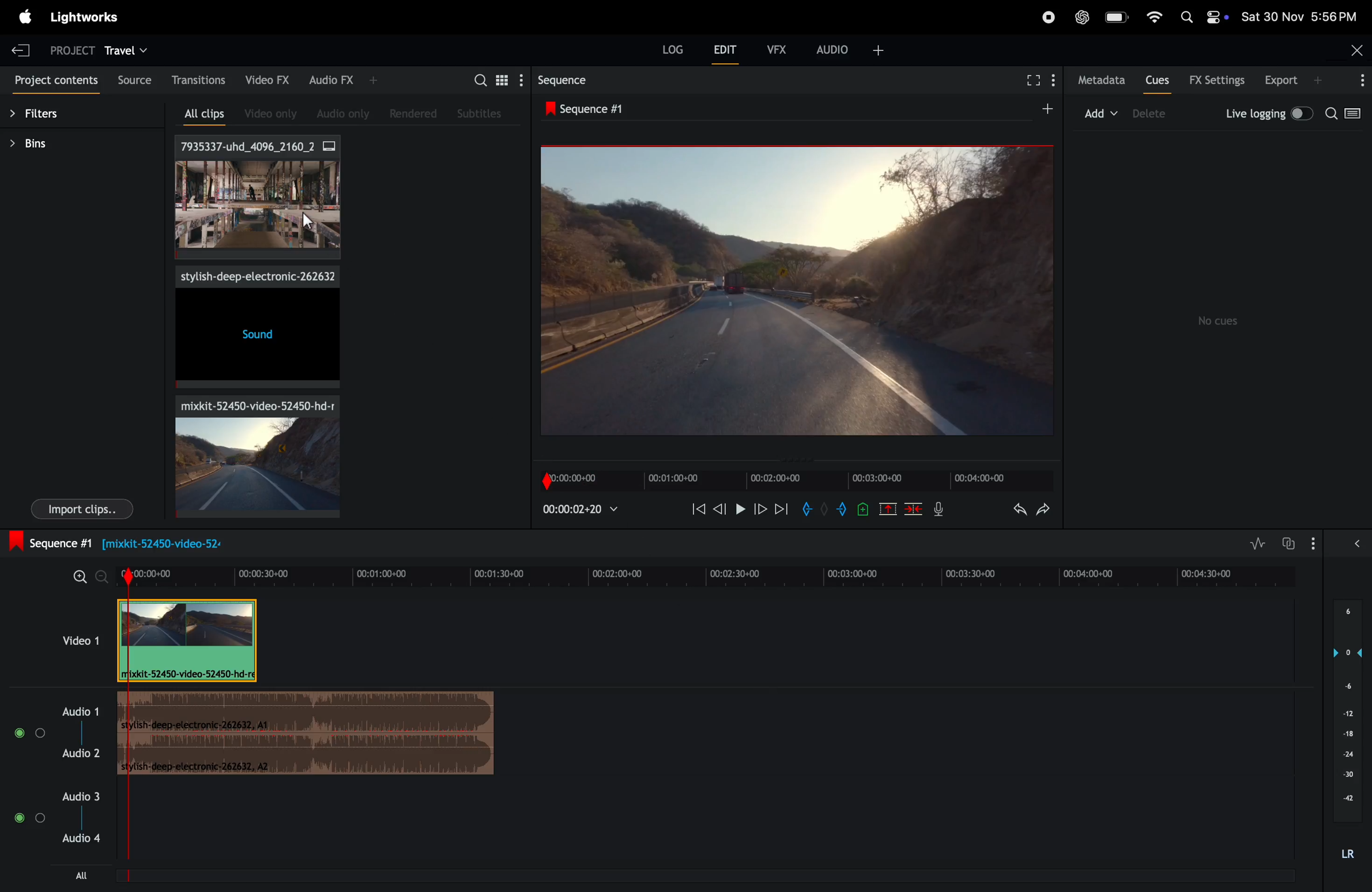 Image resolution: width=1372 pixels, height=892 pixels. What do you see at coordinates (38, 143) in the screenshot?
I see `bins` at bounding box center [38, 143].